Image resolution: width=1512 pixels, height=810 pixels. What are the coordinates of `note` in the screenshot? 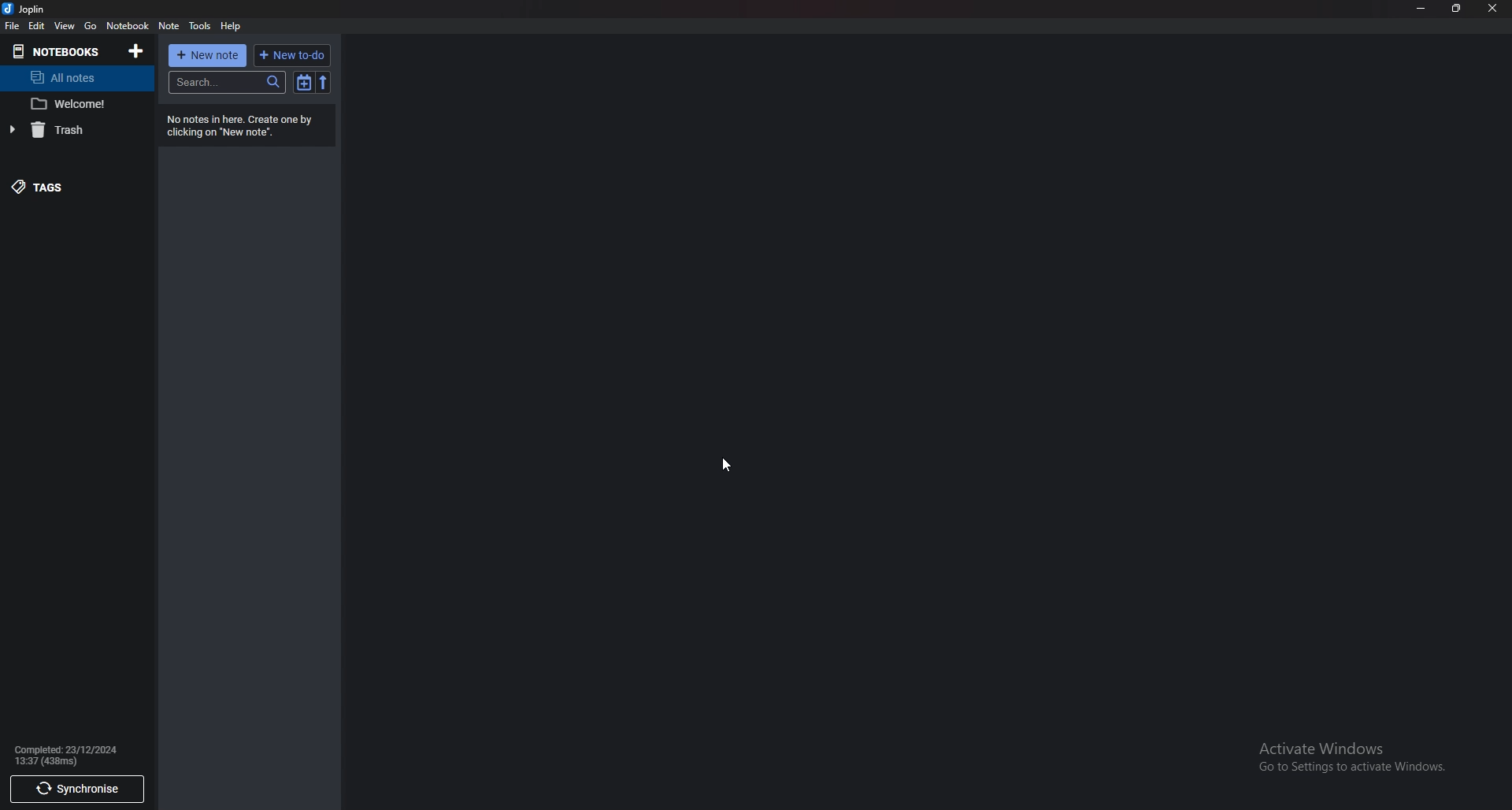 It's located at (170, 26).